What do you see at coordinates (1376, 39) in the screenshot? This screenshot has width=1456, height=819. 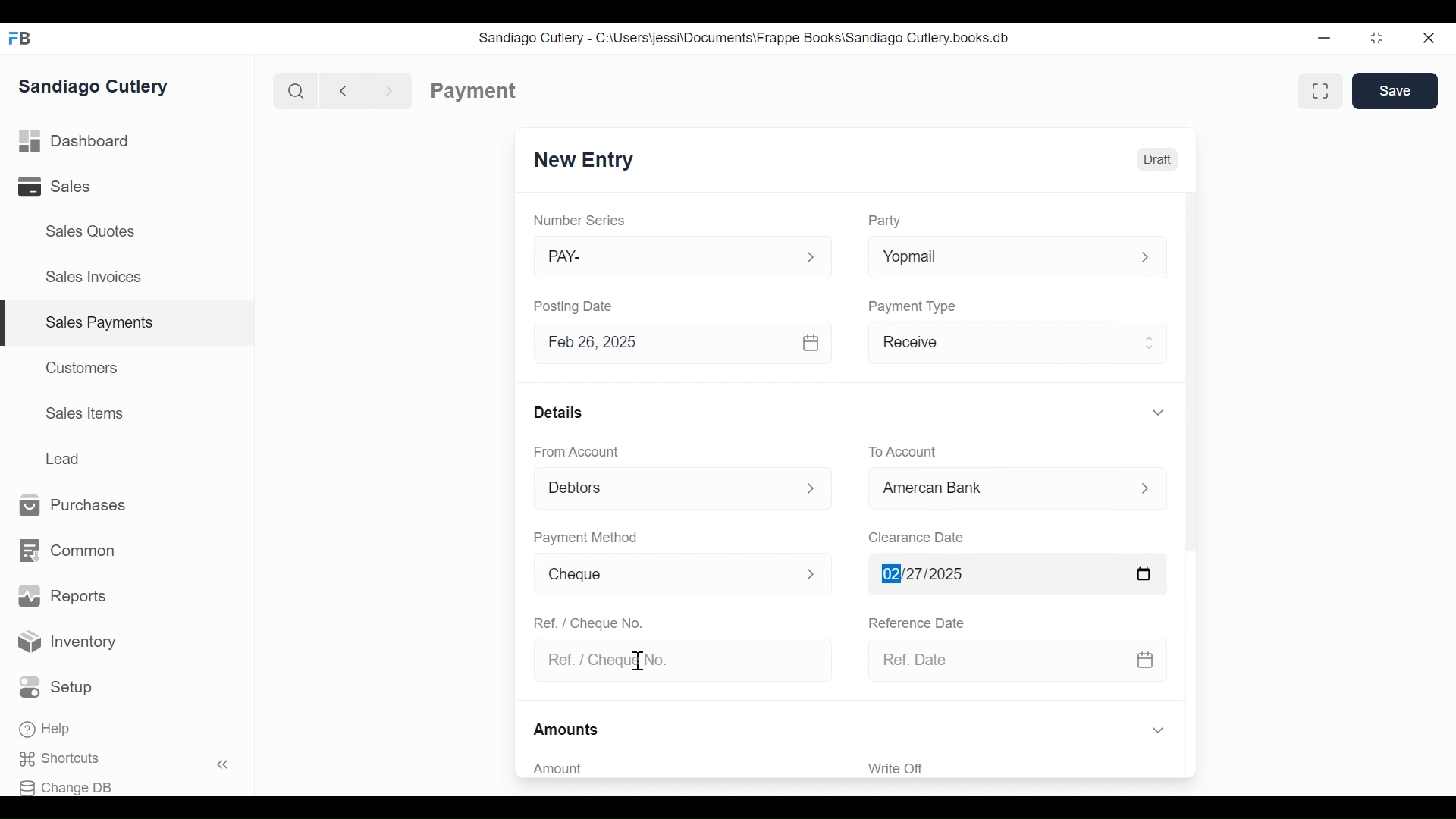 I see `Restore` at bounding box center [1376, 39].